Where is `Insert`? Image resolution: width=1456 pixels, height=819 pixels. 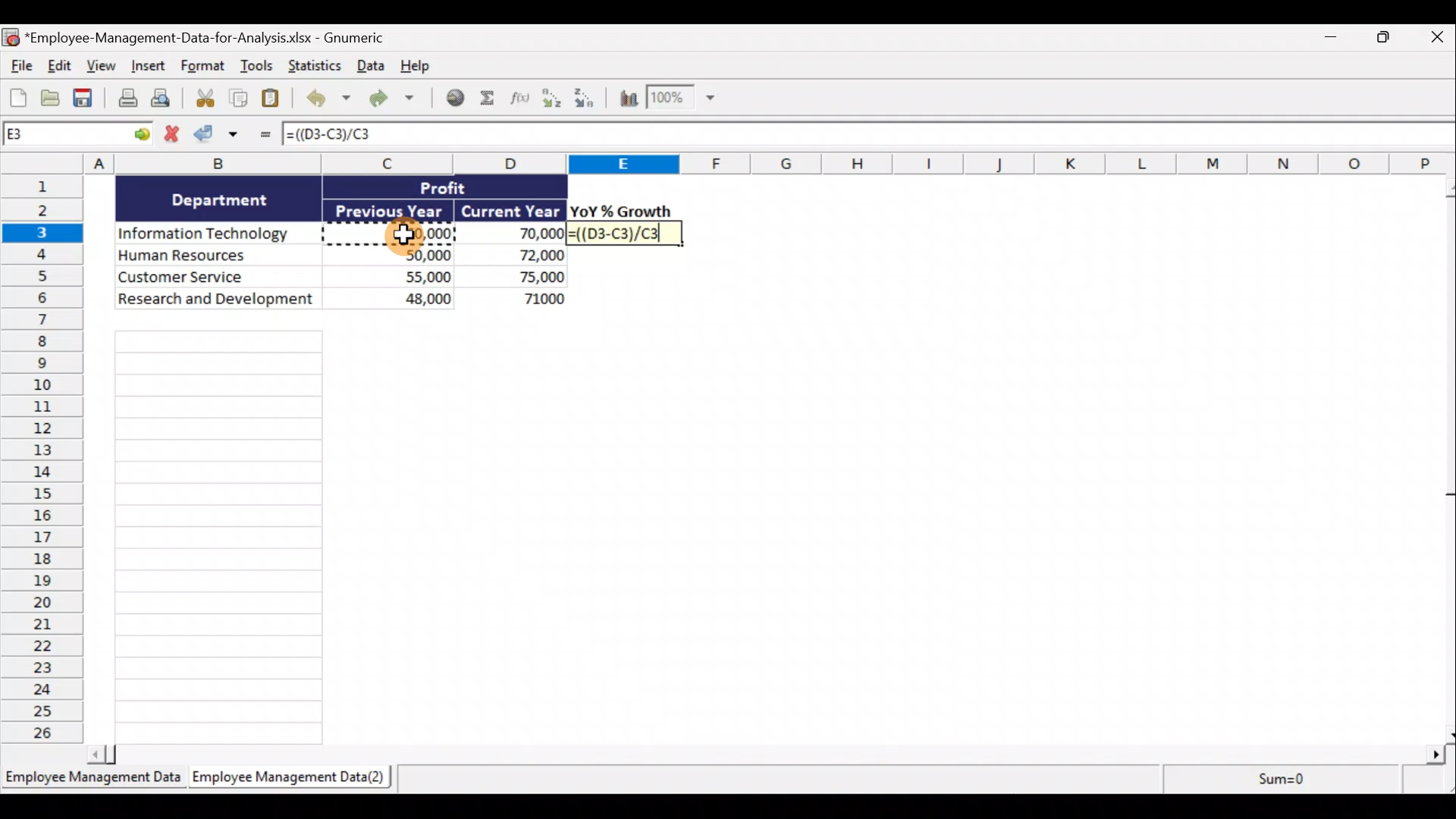
Insert is located at coordinates (146, 67).